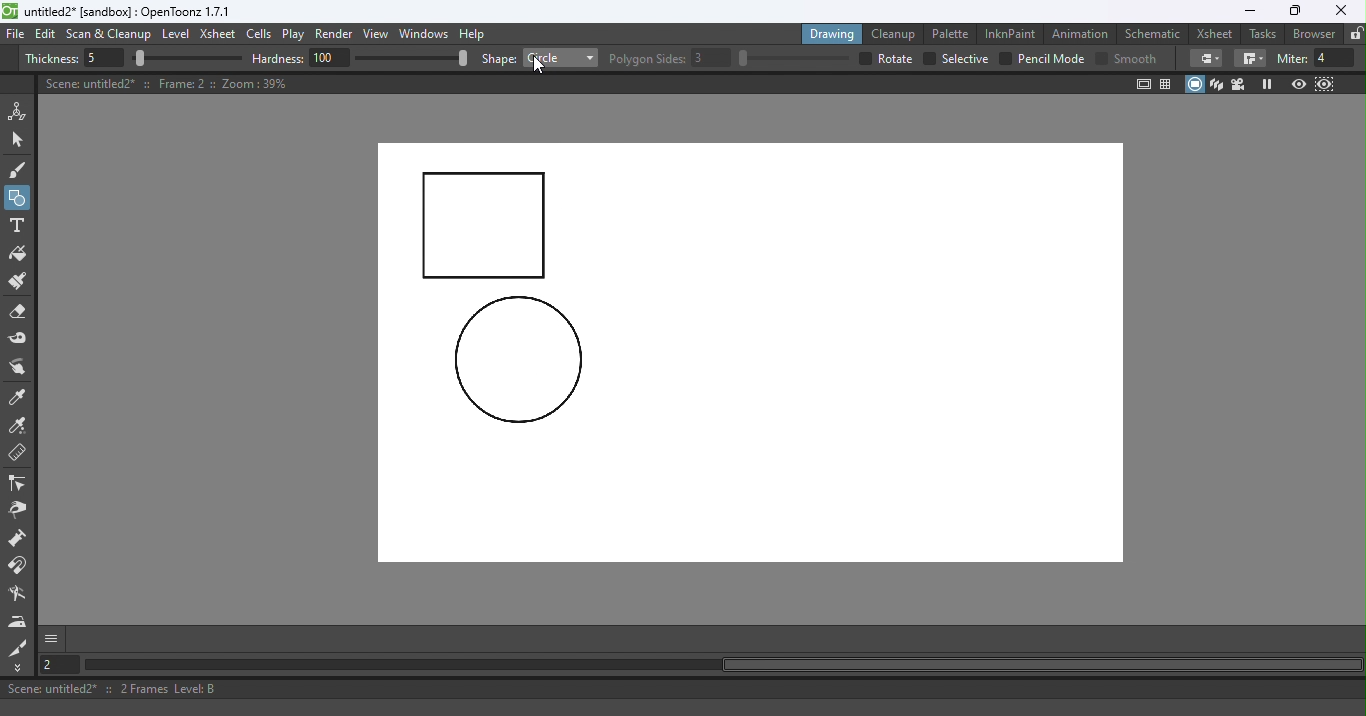 This screenshot has width=1366, height=716. What do you see at coordinates (485, 227) in the screenshot?
I see `Rectangle drawn` at bounding box center [485, 227].